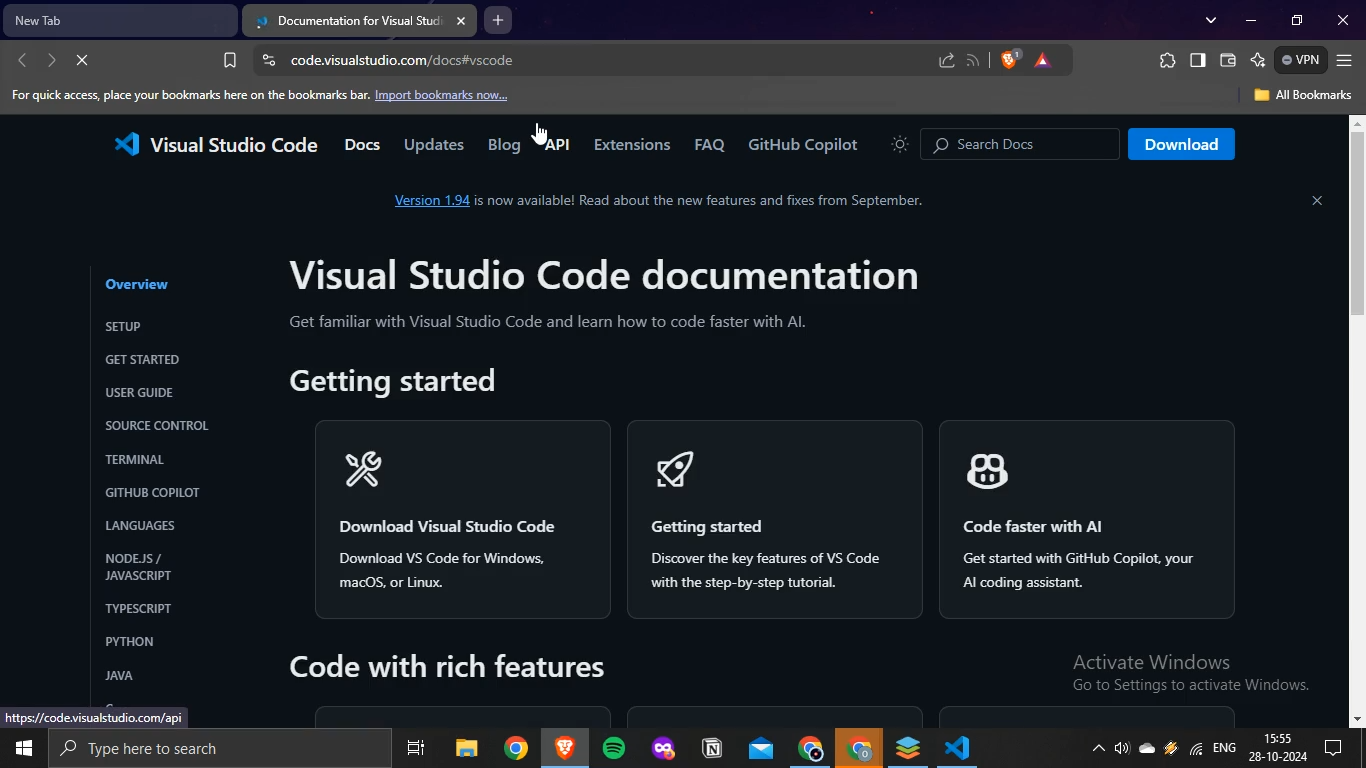 The height and width of the screenshot is (768, 1366). What do you see at coordinates (400, 60) in the screenshot?
I see `code.visualstudio.com/docs#vscode` at bounding box center [400, 60].